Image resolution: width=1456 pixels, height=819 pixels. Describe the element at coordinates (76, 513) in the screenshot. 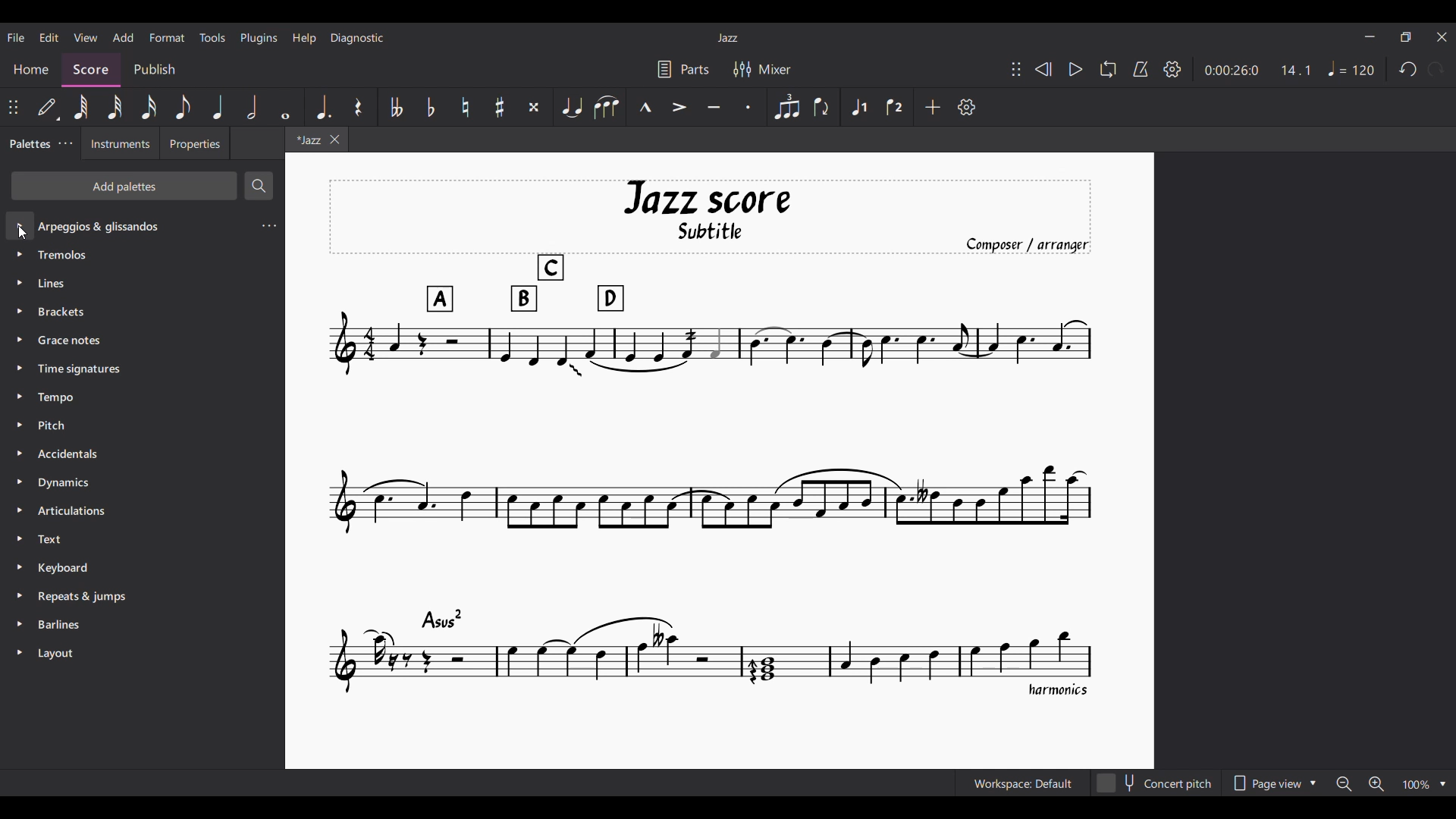

I see `Articulations` at that location.